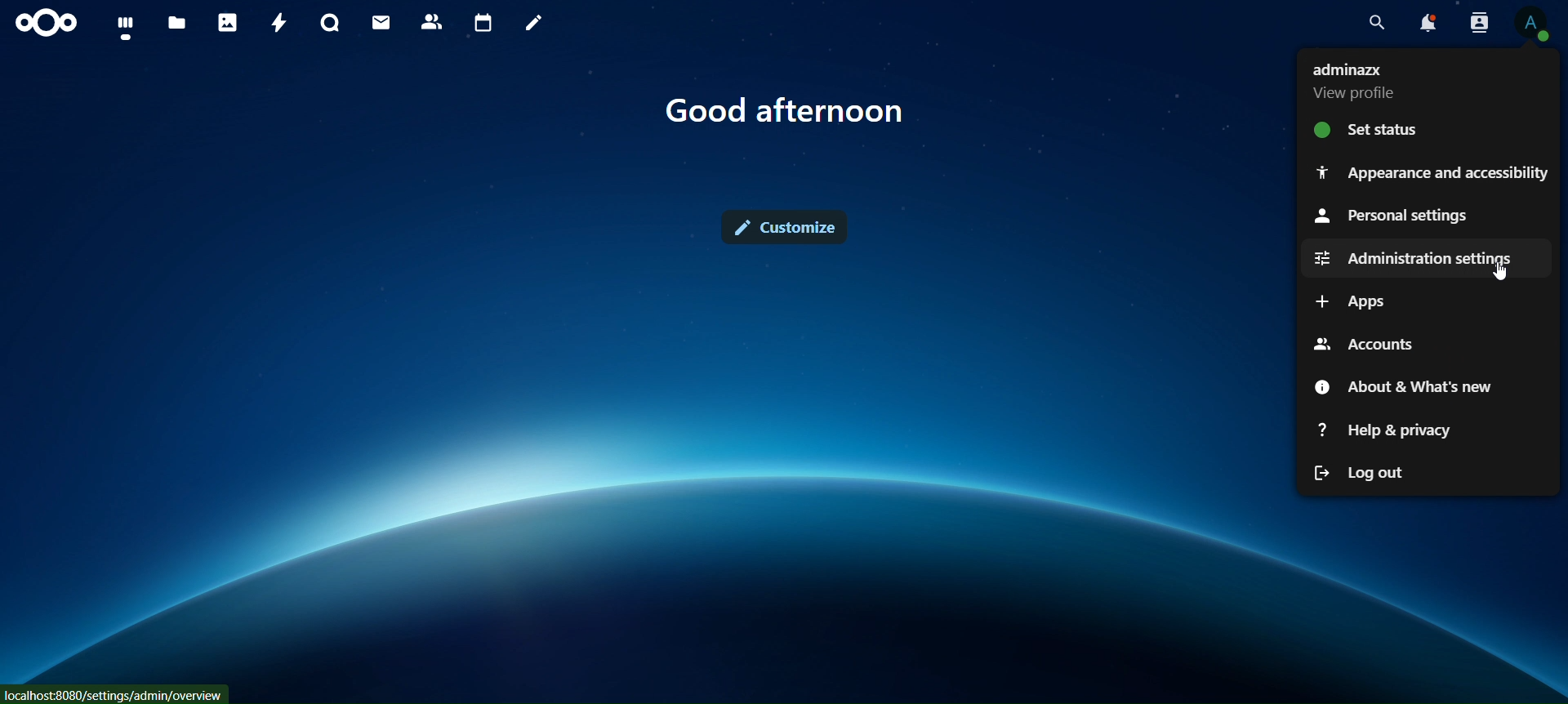 Image resolution: width=1568 pixels, height=704 pixels. I want to click on notifications, so click(1426, 23).